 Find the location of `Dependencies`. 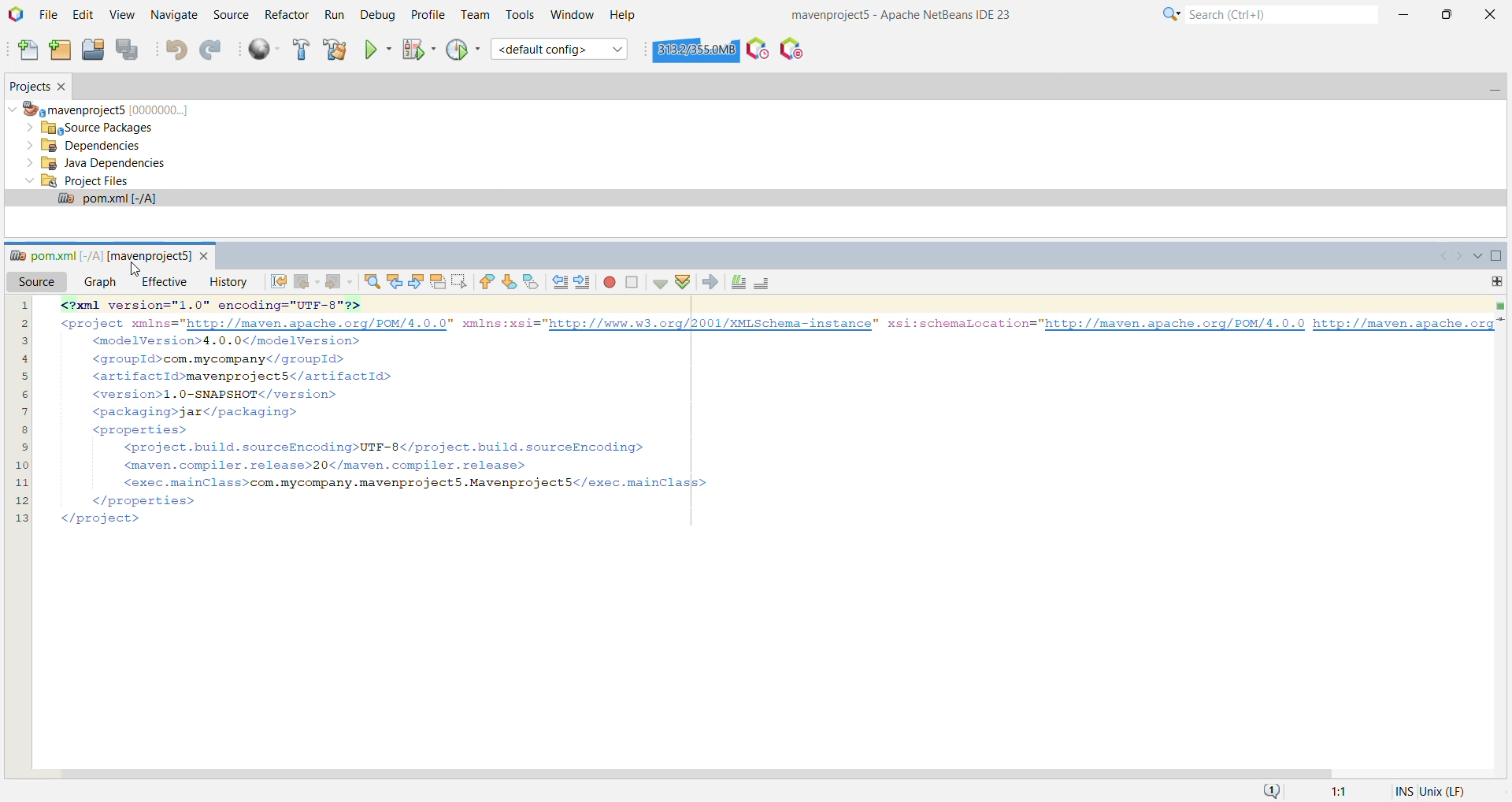

Dependencies is located at coordinates (88, 146).